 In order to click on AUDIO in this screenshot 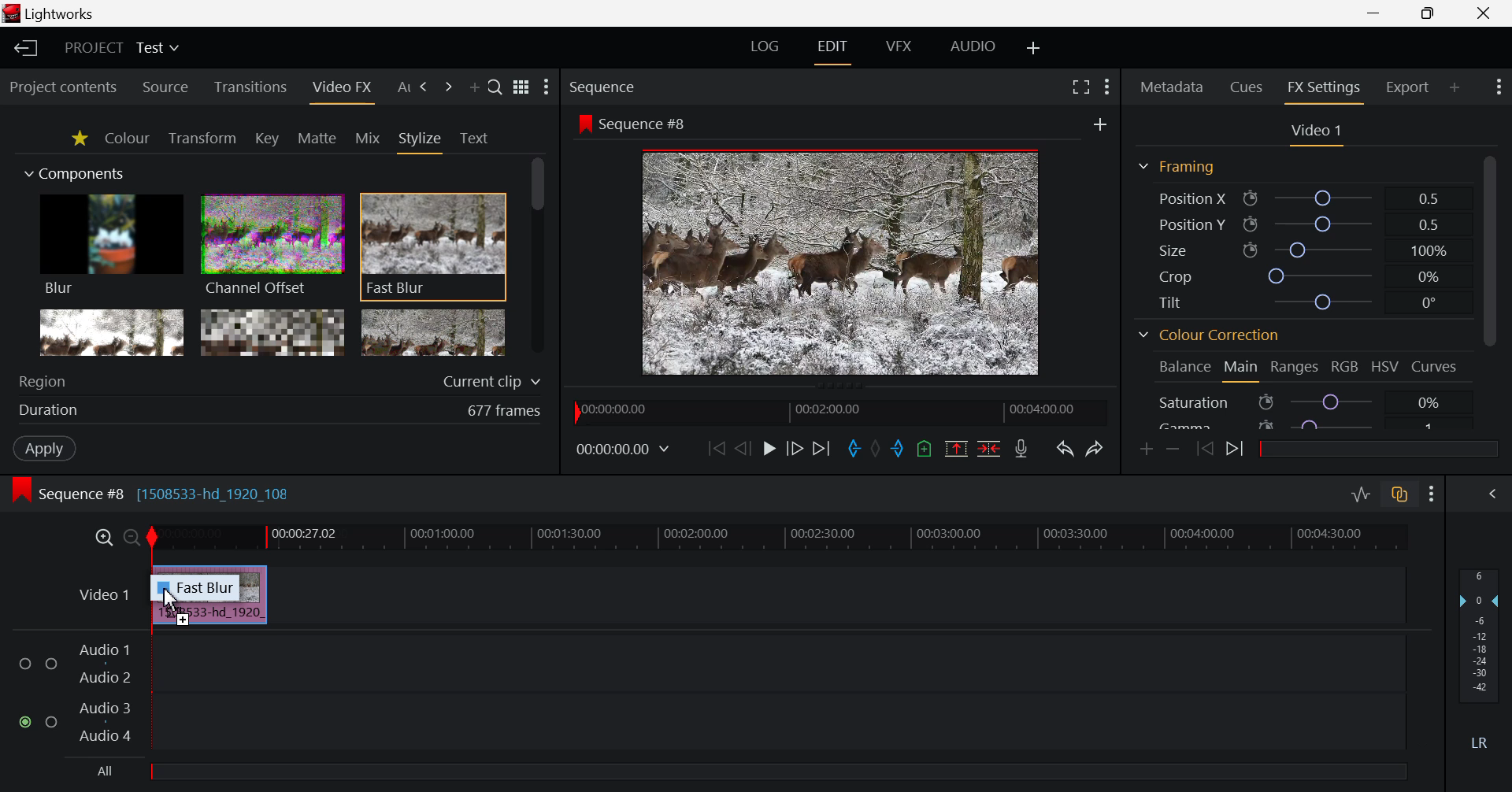, I will do `click(973, 50)`.